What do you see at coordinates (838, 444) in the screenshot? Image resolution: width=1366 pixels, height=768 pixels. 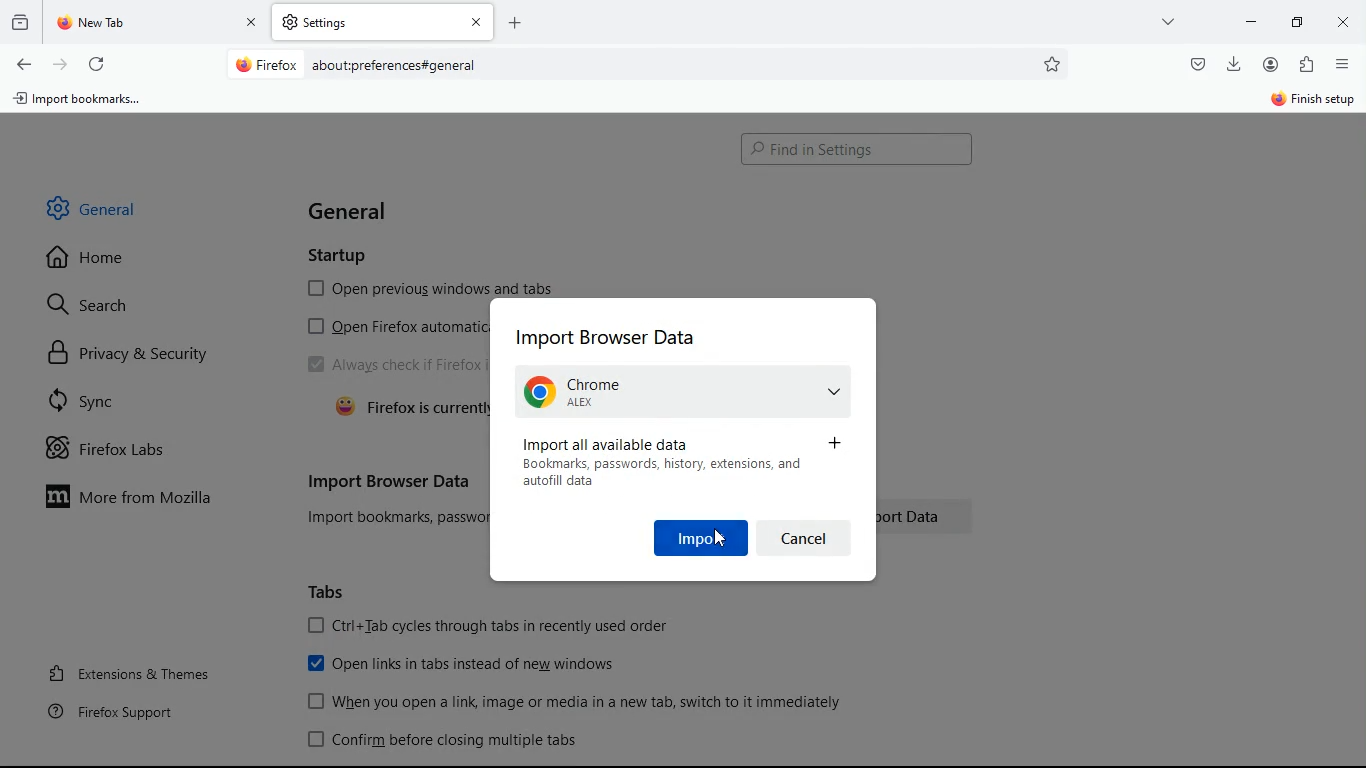 I see `more` at bounding box center [838, 444].